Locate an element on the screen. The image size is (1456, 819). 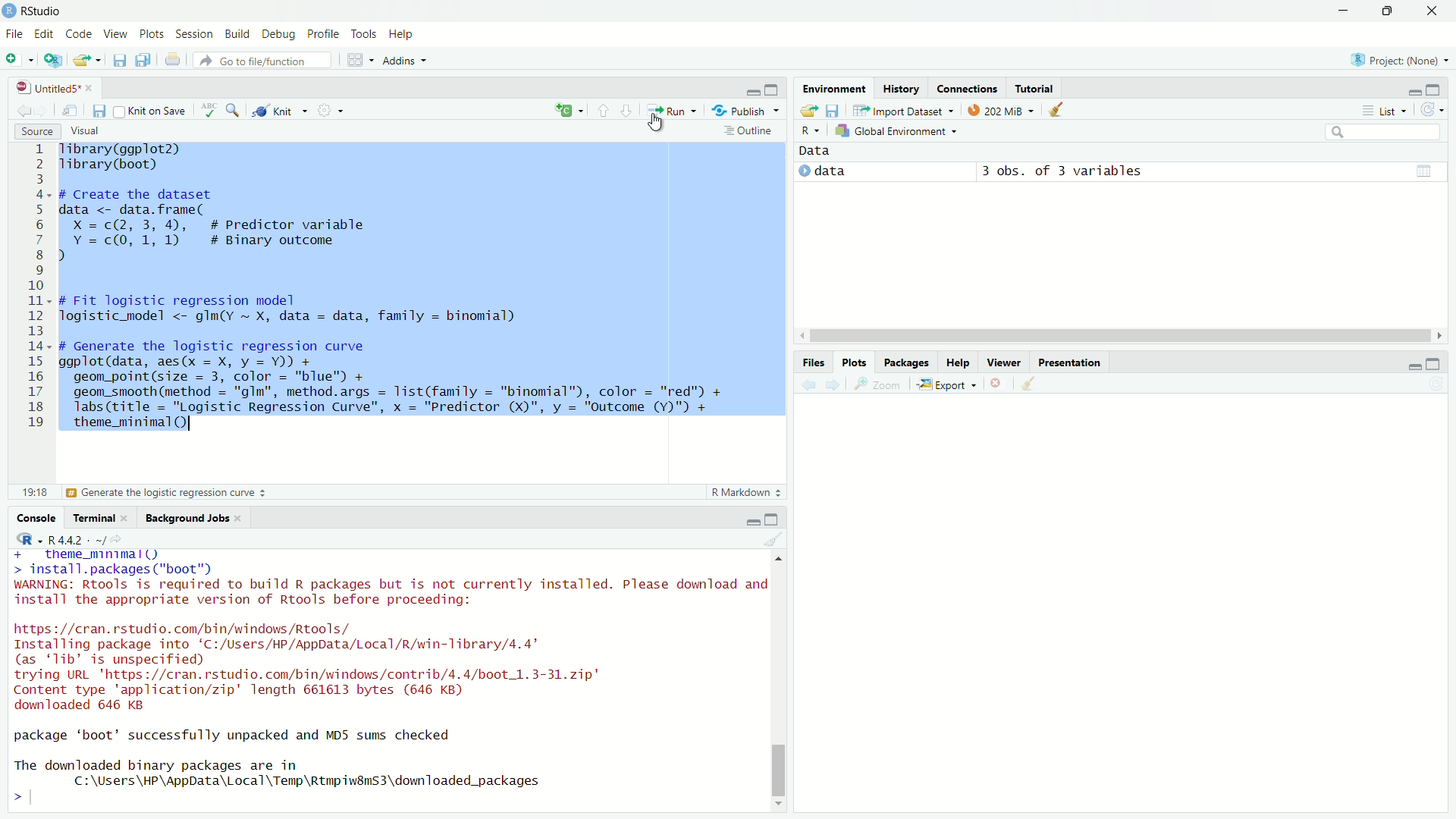
minimize is located at coordinates (1414, 93).